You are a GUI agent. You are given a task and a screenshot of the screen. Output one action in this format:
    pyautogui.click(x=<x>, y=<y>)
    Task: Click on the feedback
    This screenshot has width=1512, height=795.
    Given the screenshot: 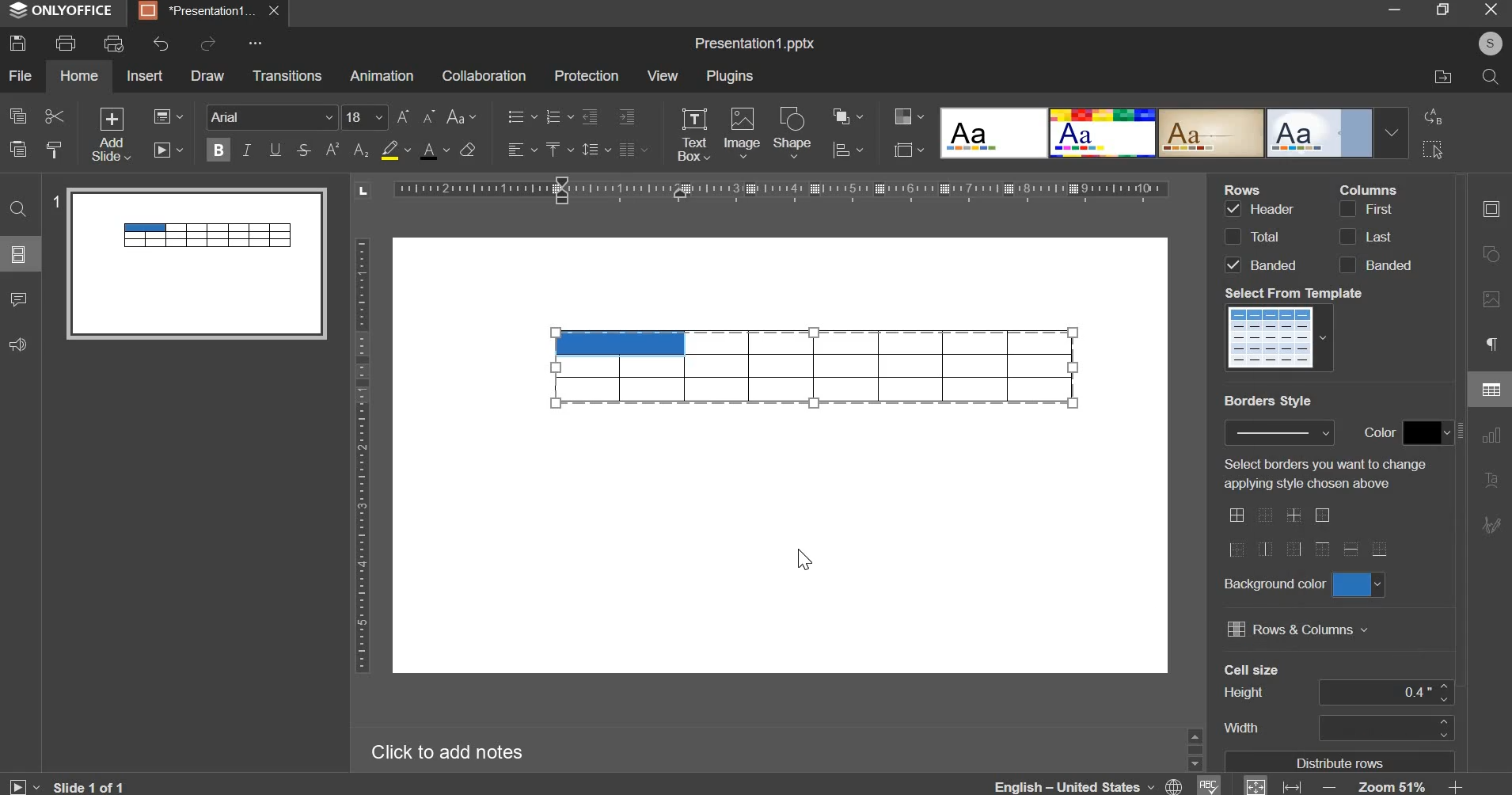 What is the action you would take?
    pyautogui.click(x=16, y=345)
    